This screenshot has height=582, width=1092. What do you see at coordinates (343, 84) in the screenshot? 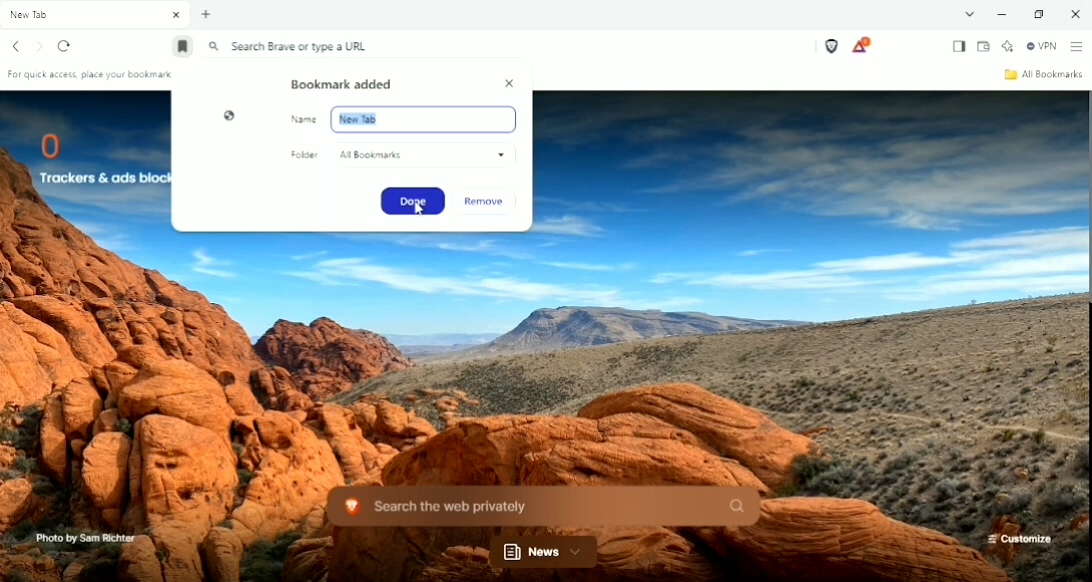
I see `Bookmark added` at bounding box center [343, 84].